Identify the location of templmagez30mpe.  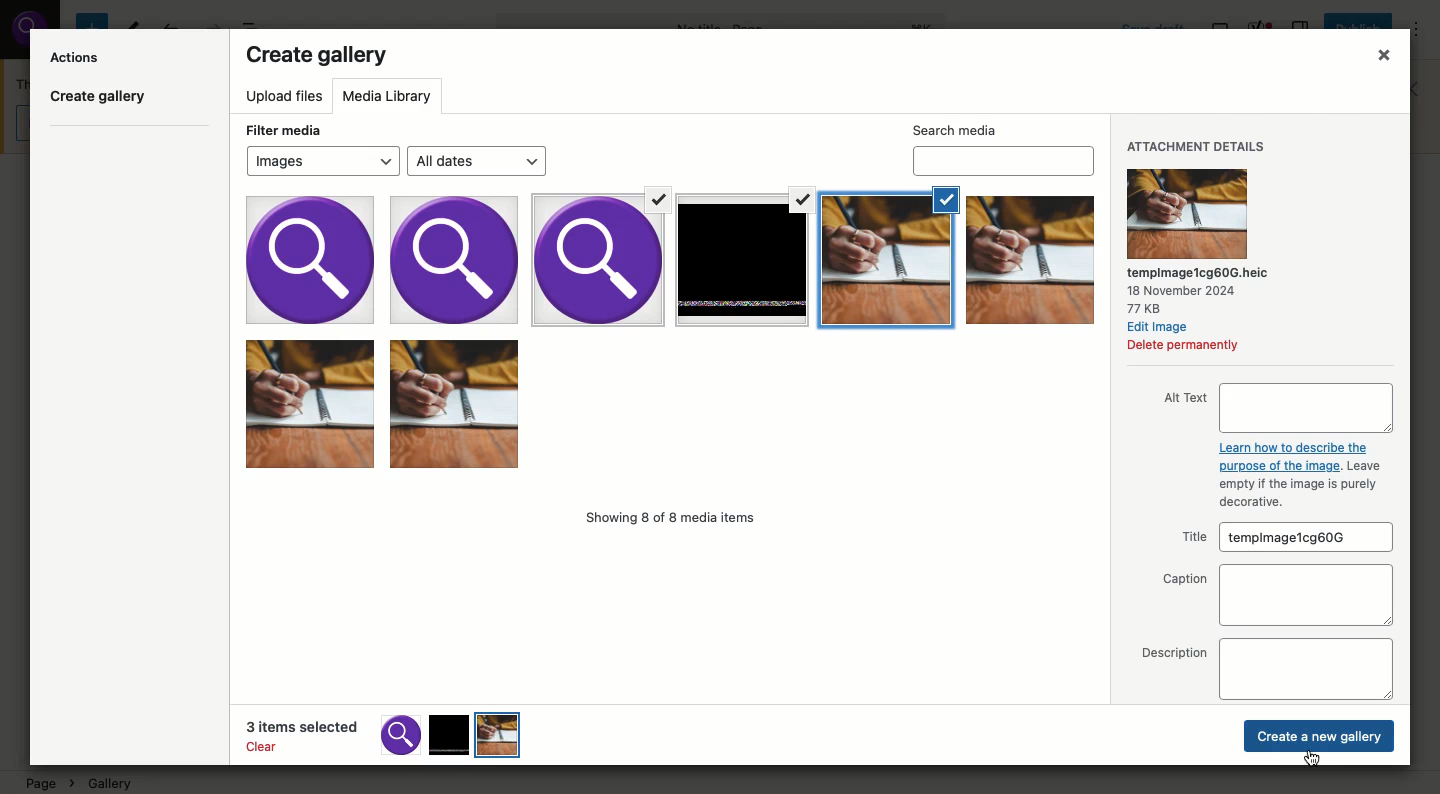
(1293, 537).